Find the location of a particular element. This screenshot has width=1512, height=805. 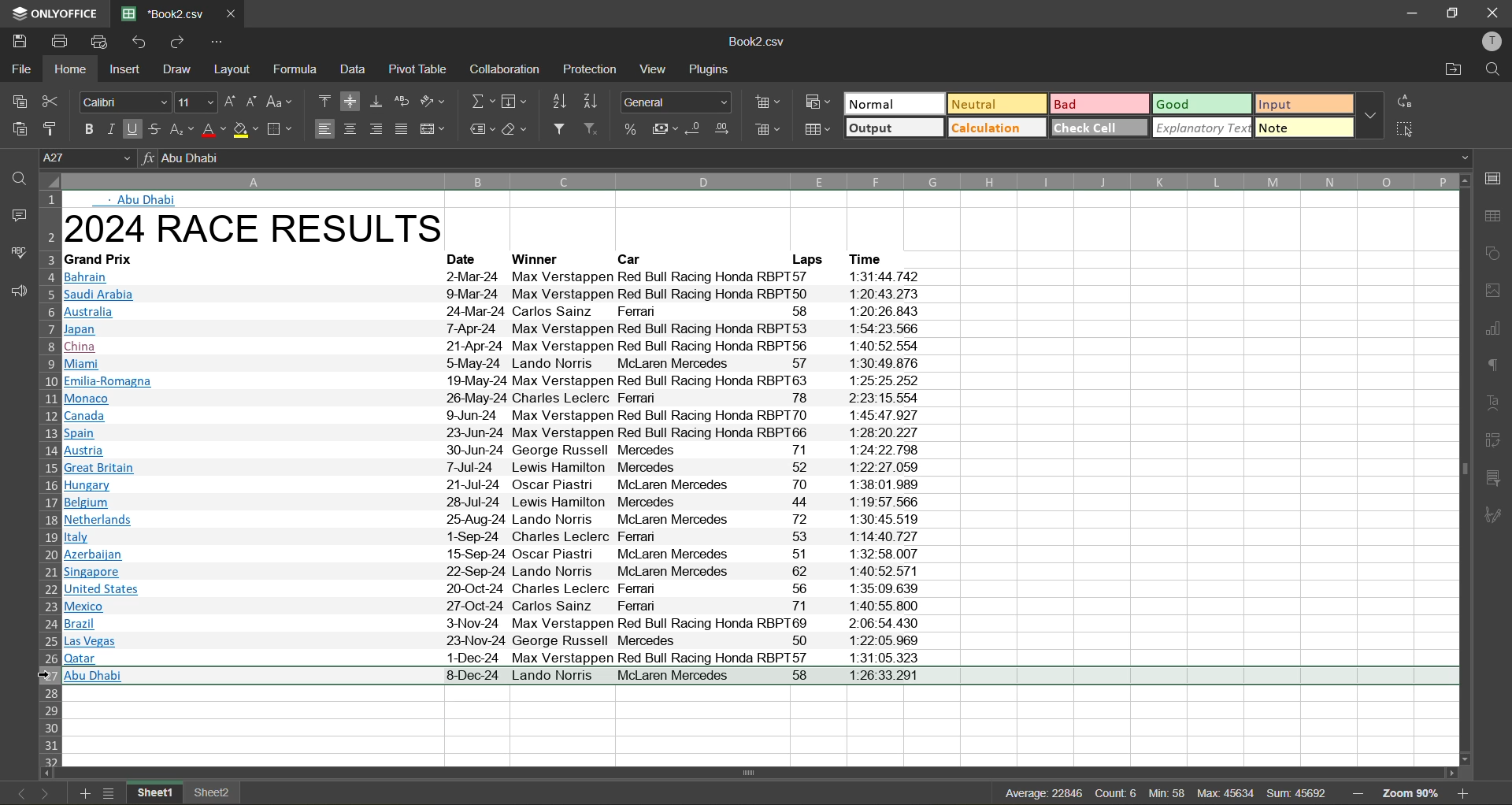

text info is located at coordinates (502, 484).